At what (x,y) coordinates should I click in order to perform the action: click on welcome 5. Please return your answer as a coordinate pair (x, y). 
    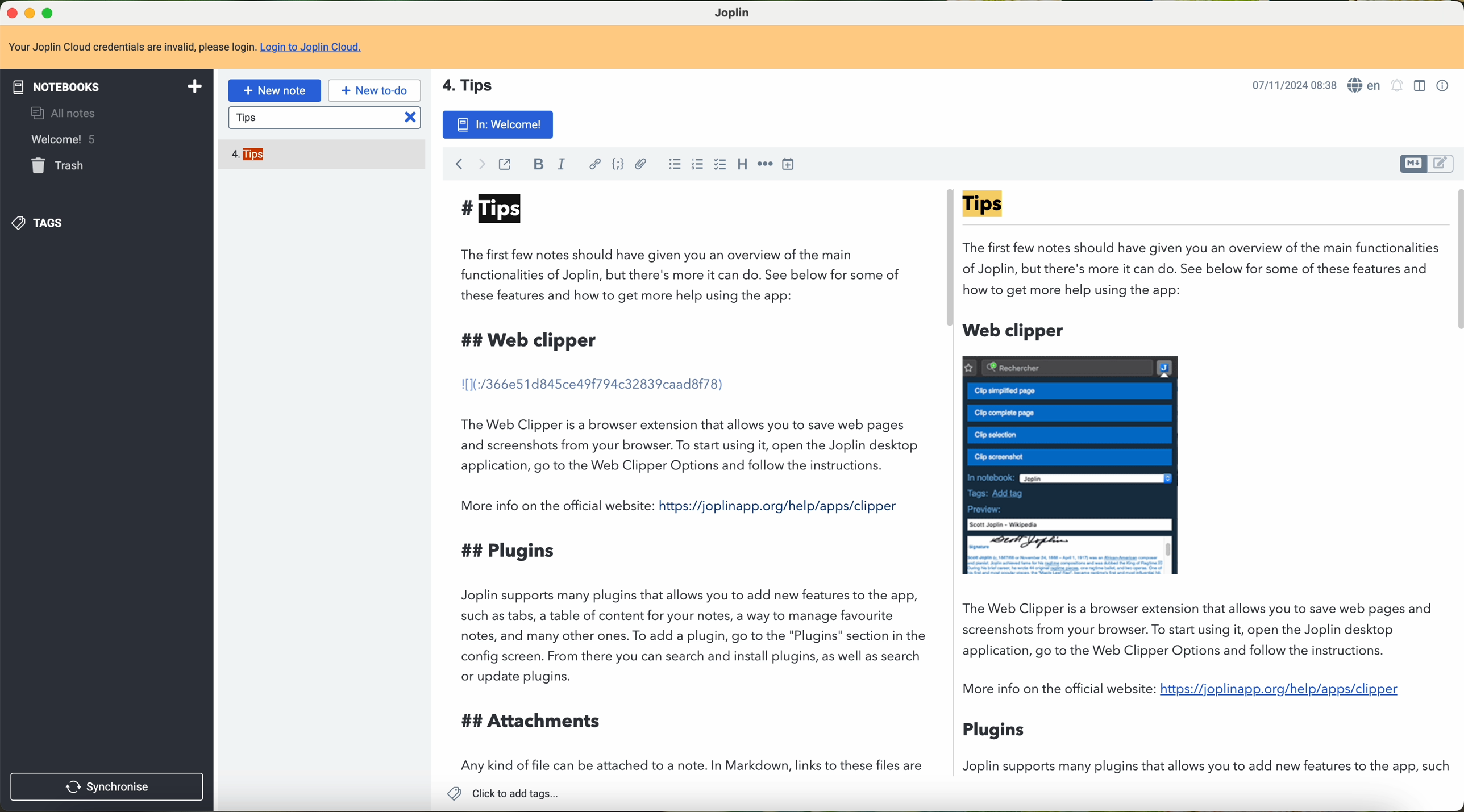
    Looking at the image, I should click on (106, 139).